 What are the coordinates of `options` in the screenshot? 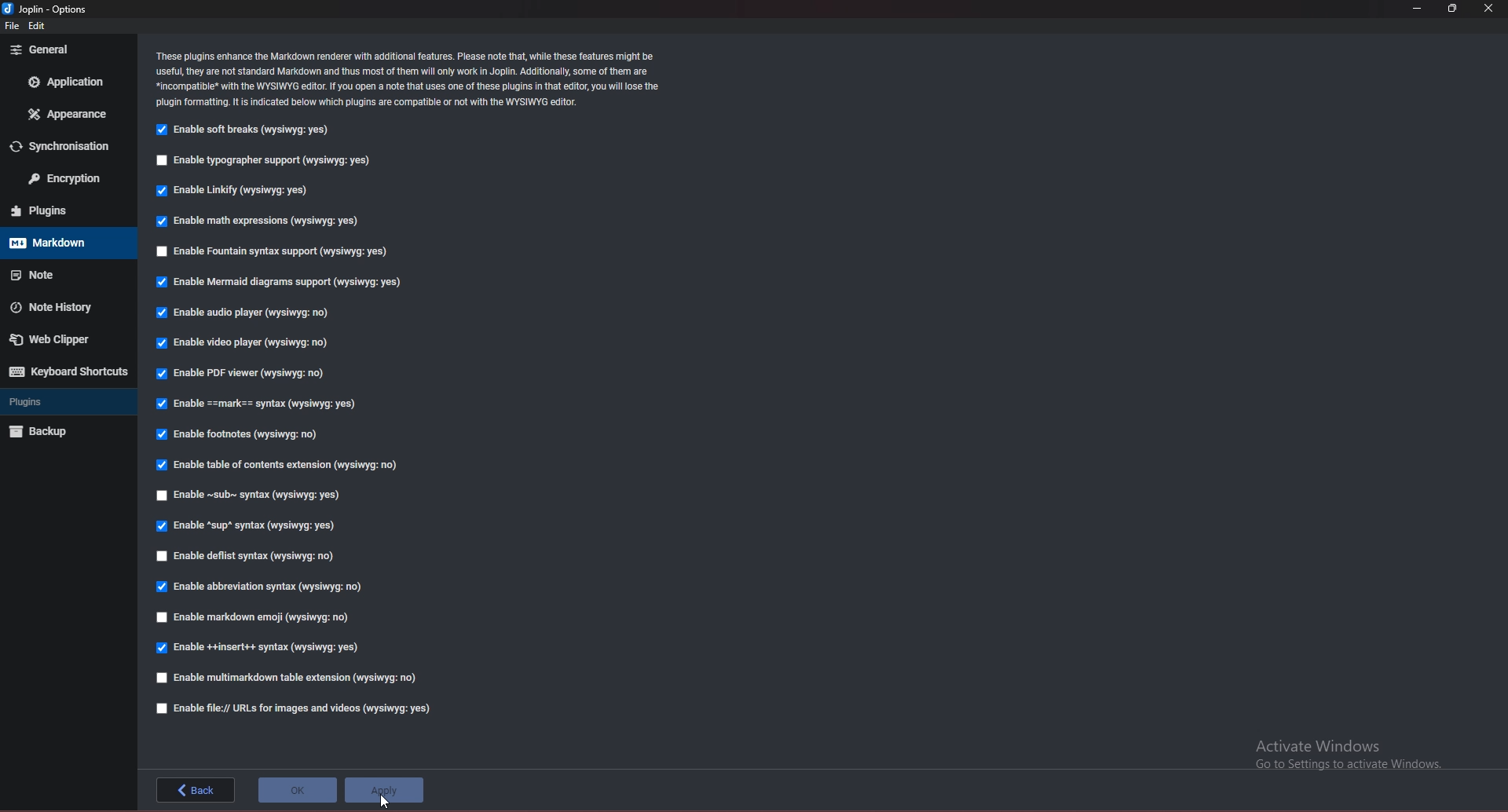 It's located at (46, 9).